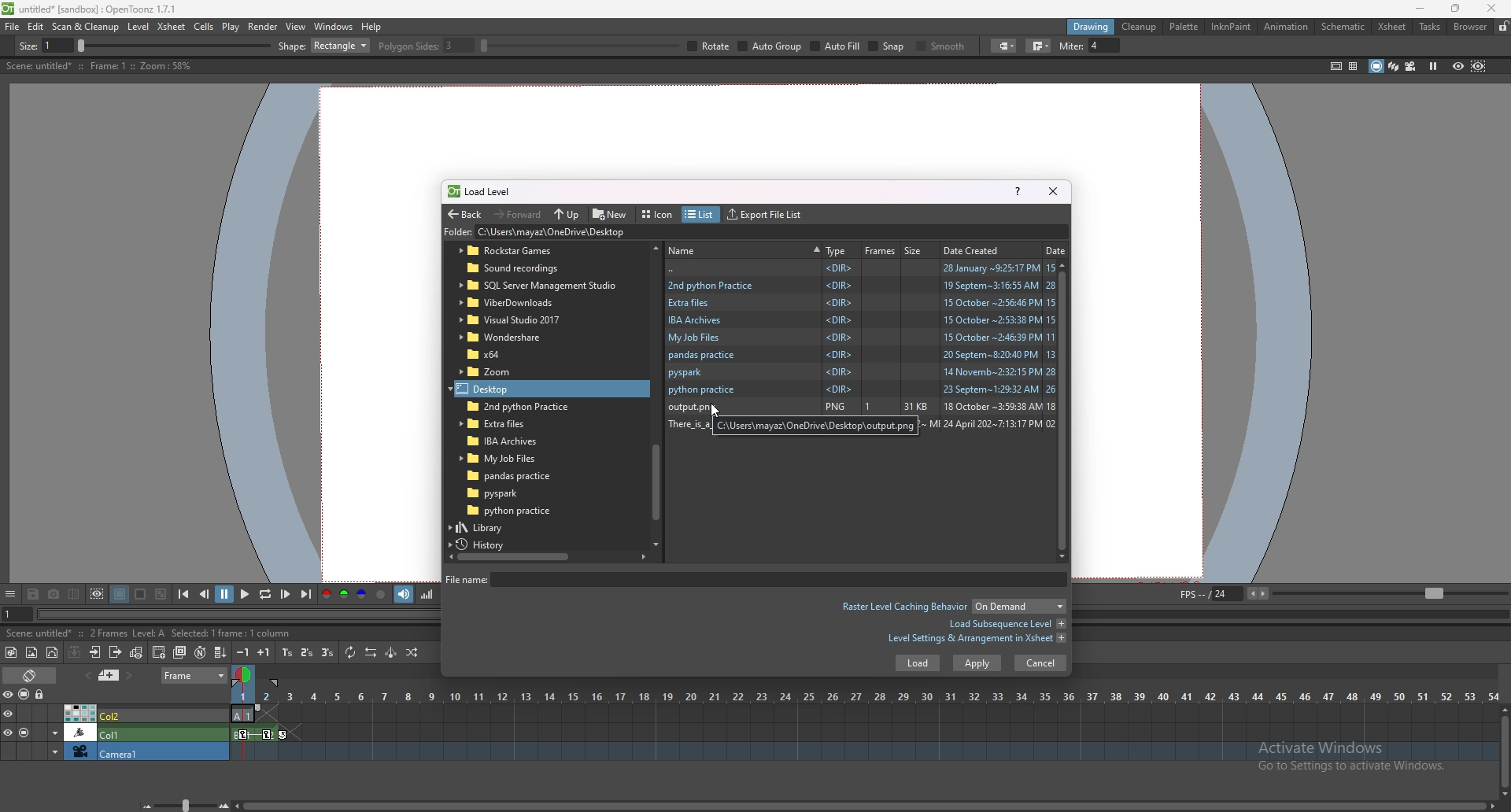  I want to click on compare to snapshot, so click(76, 593).